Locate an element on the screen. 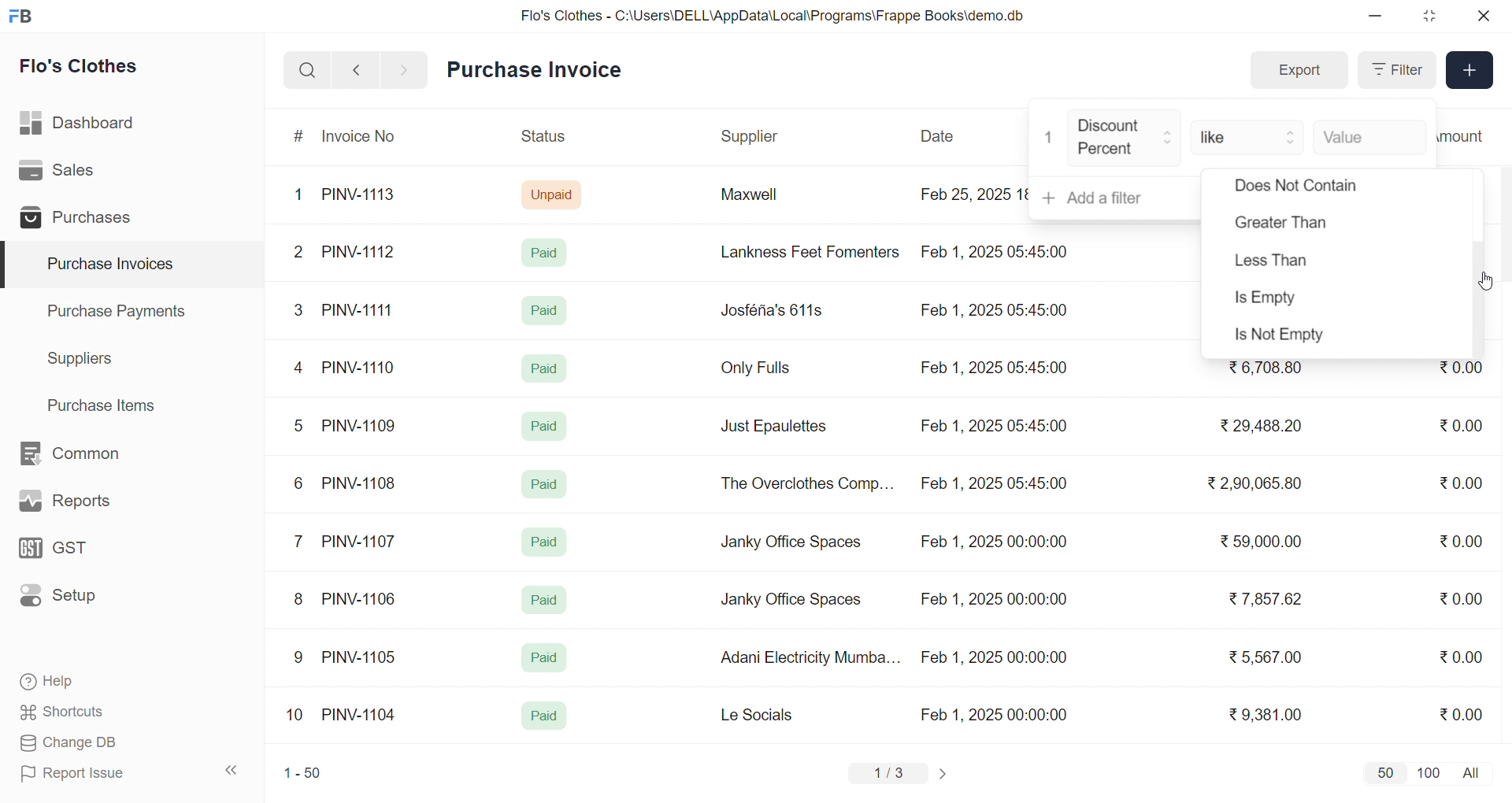 This screenshot has width=1512, height=803. Outstanding Amount is located at coordinates (1469, 135).